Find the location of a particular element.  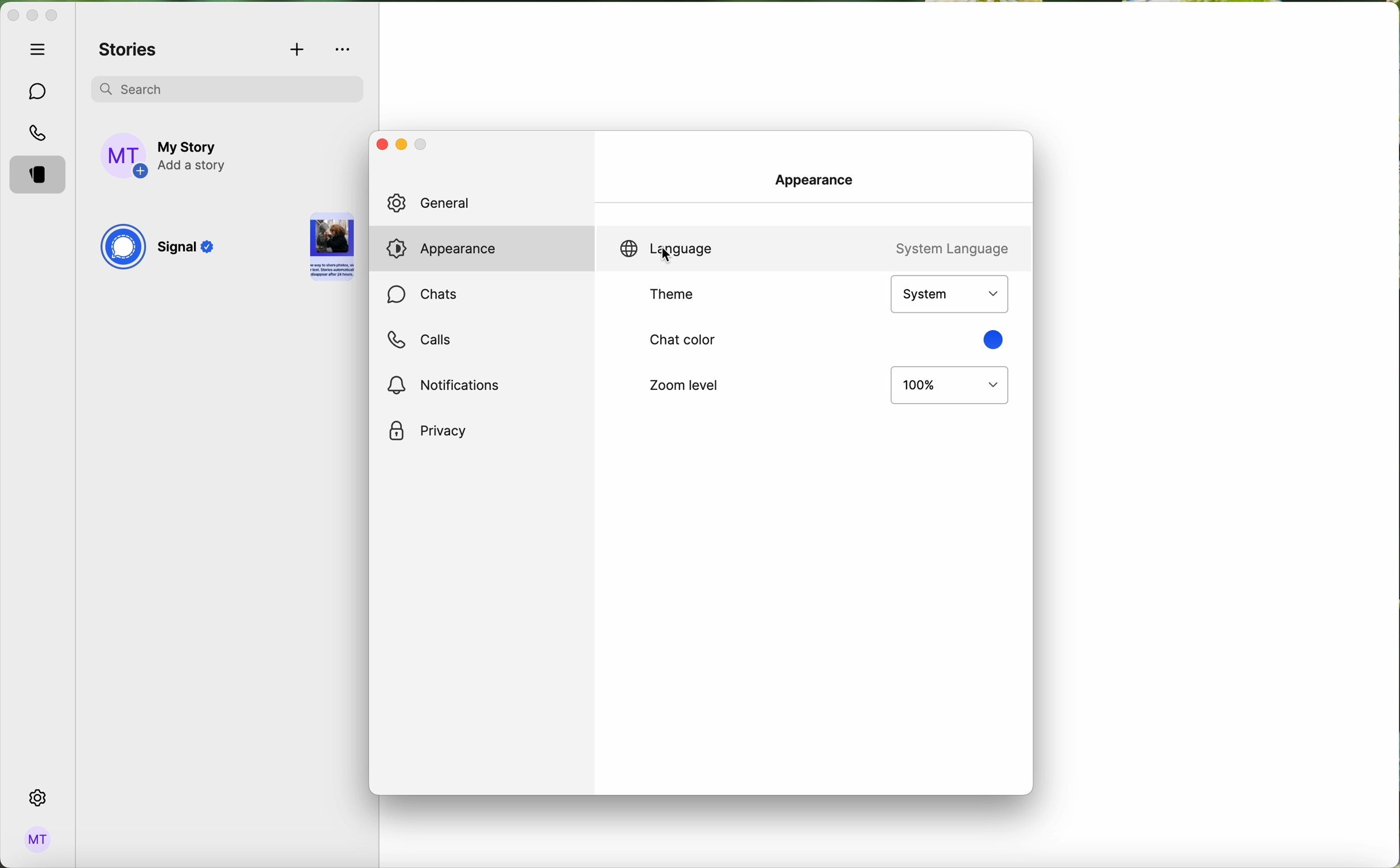

profile photo is located at coordinates (125, 156).